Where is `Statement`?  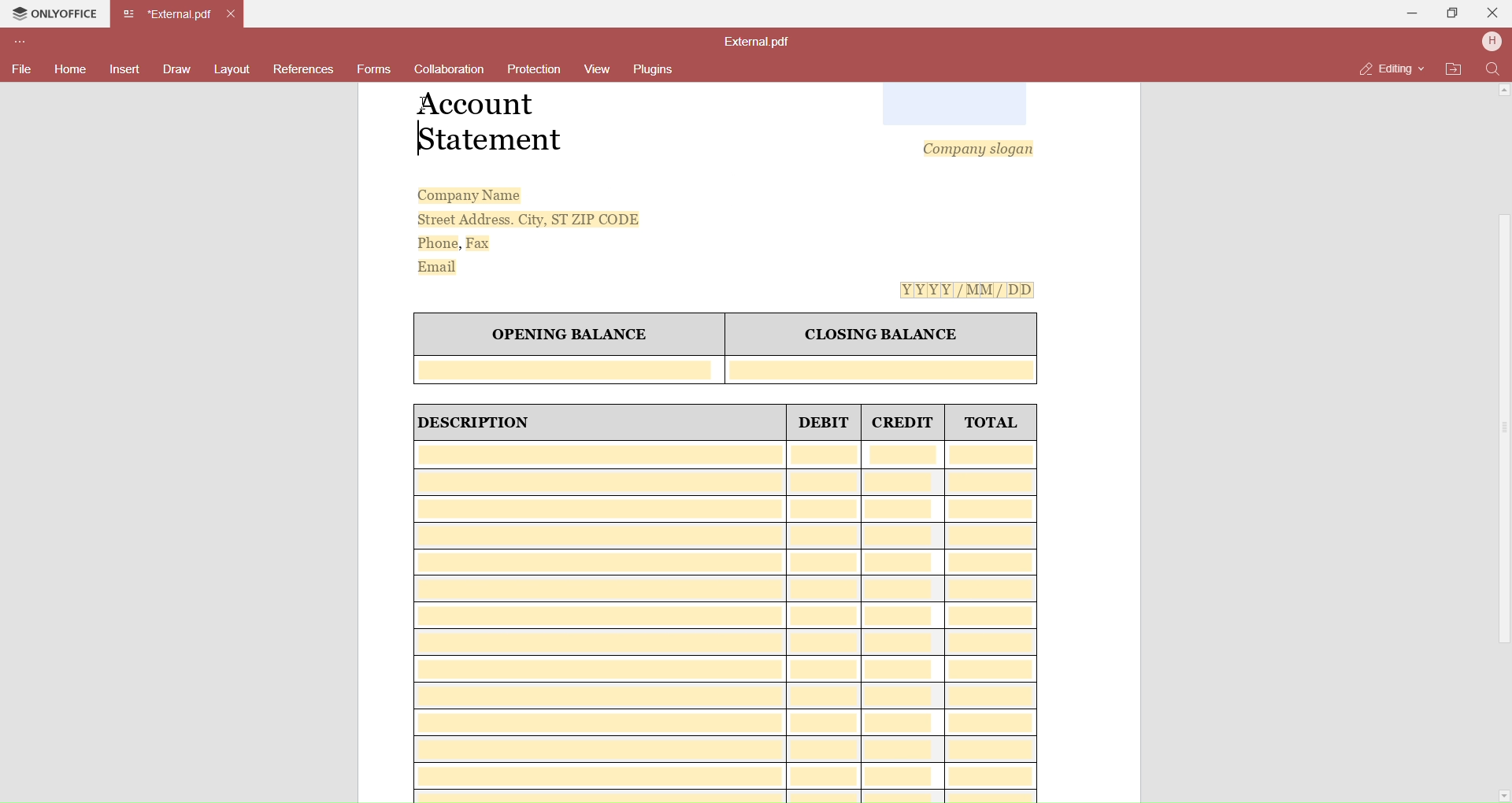
Statement is located at coordinates (491, 142).